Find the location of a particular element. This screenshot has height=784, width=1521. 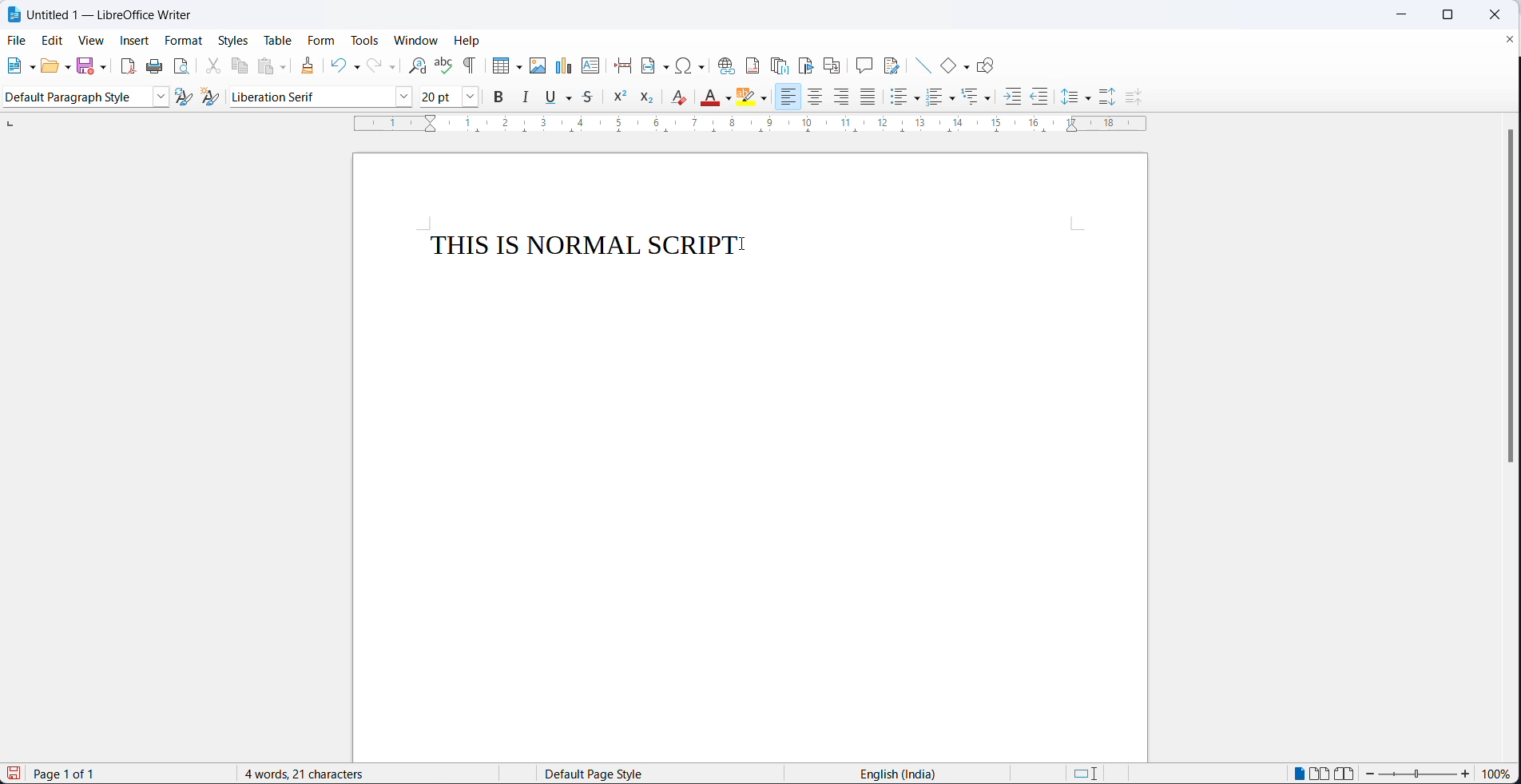

character highlighting is located at coordinates (766, 100).